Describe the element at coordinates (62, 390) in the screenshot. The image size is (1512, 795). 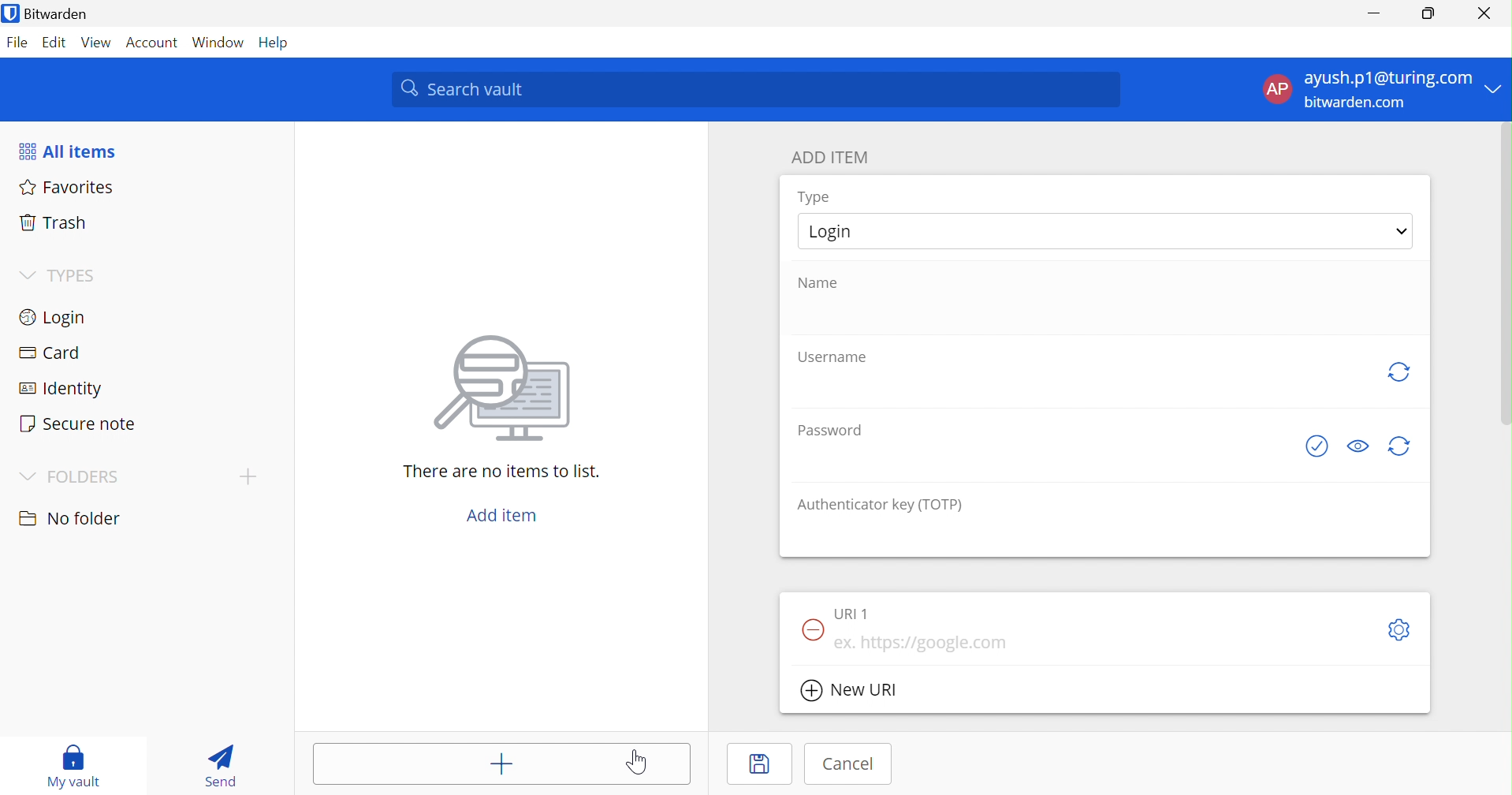
I see `Identity` at that location.